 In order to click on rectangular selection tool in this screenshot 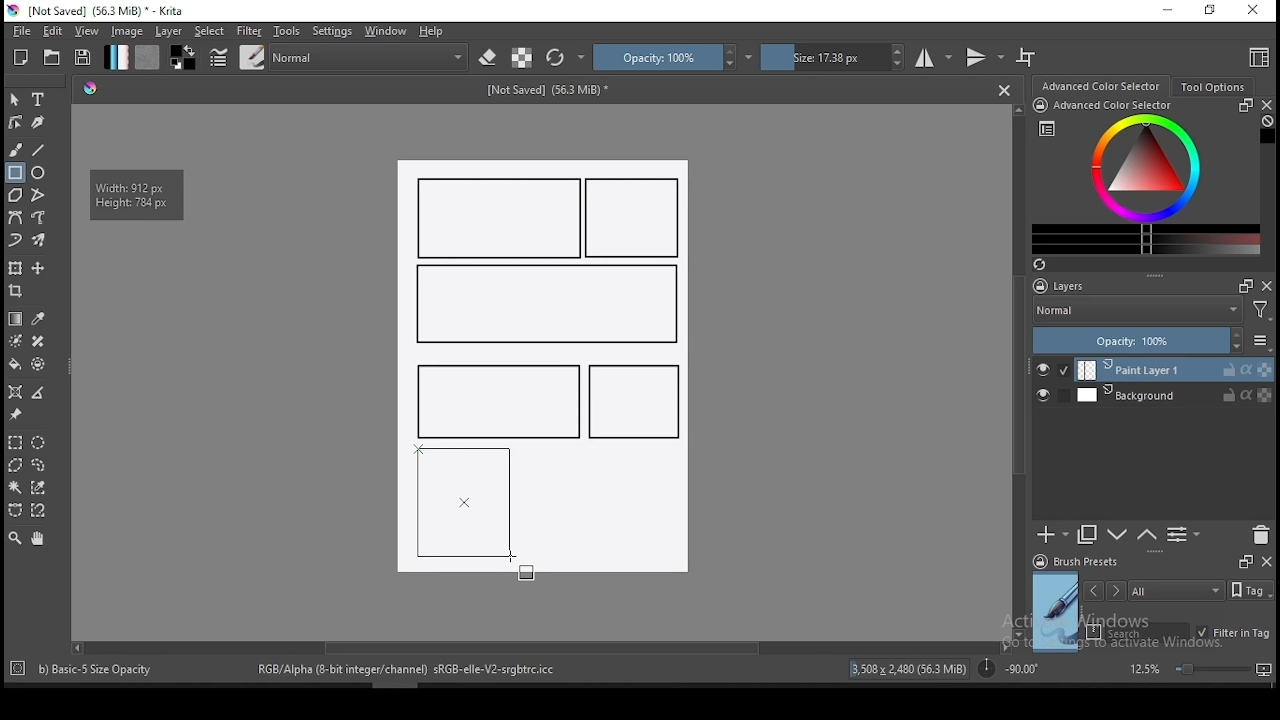, I will do `click(14, 442)`.